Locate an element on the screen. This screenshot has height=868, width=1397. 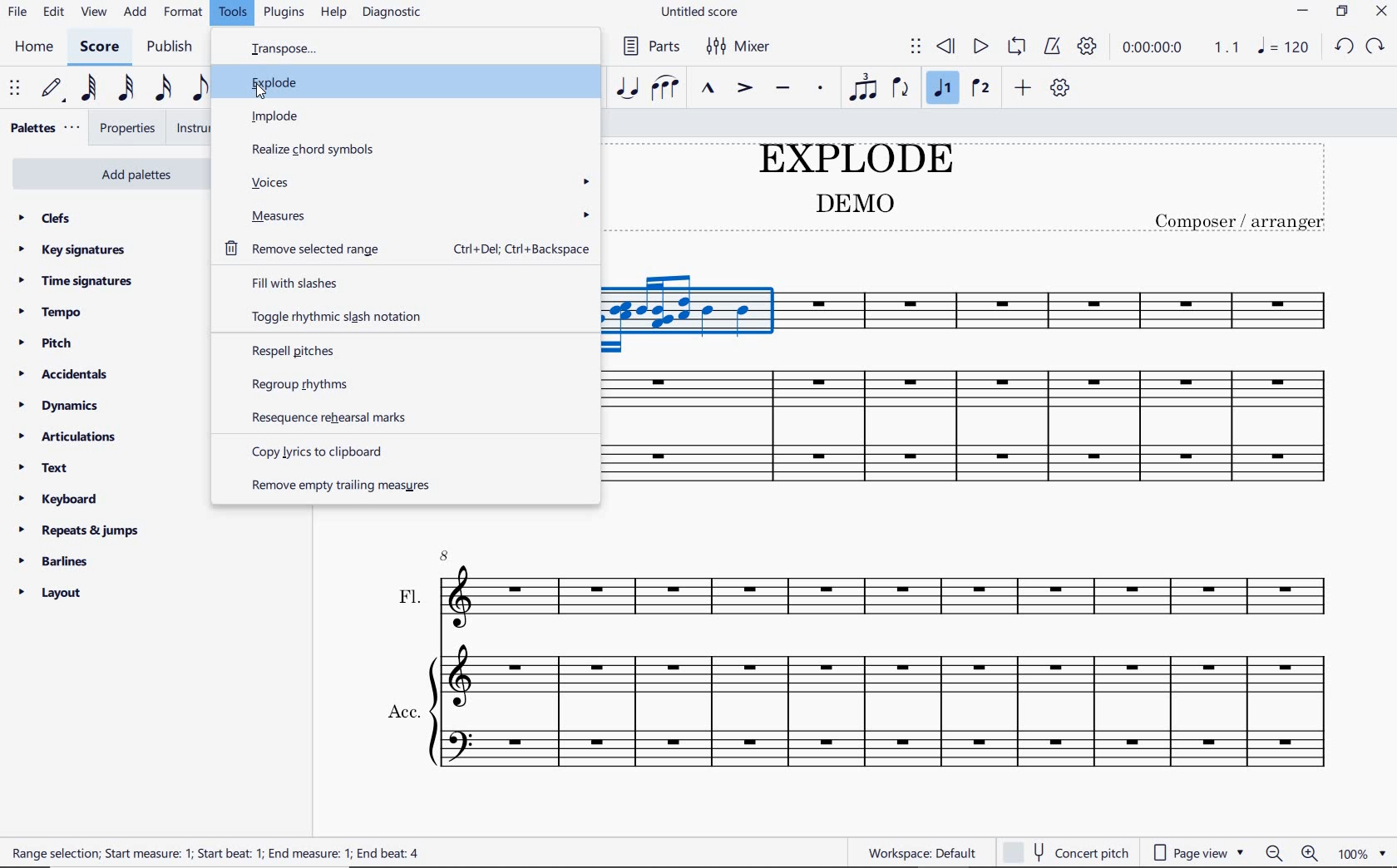
articulations is located at coordinates (68, 436).